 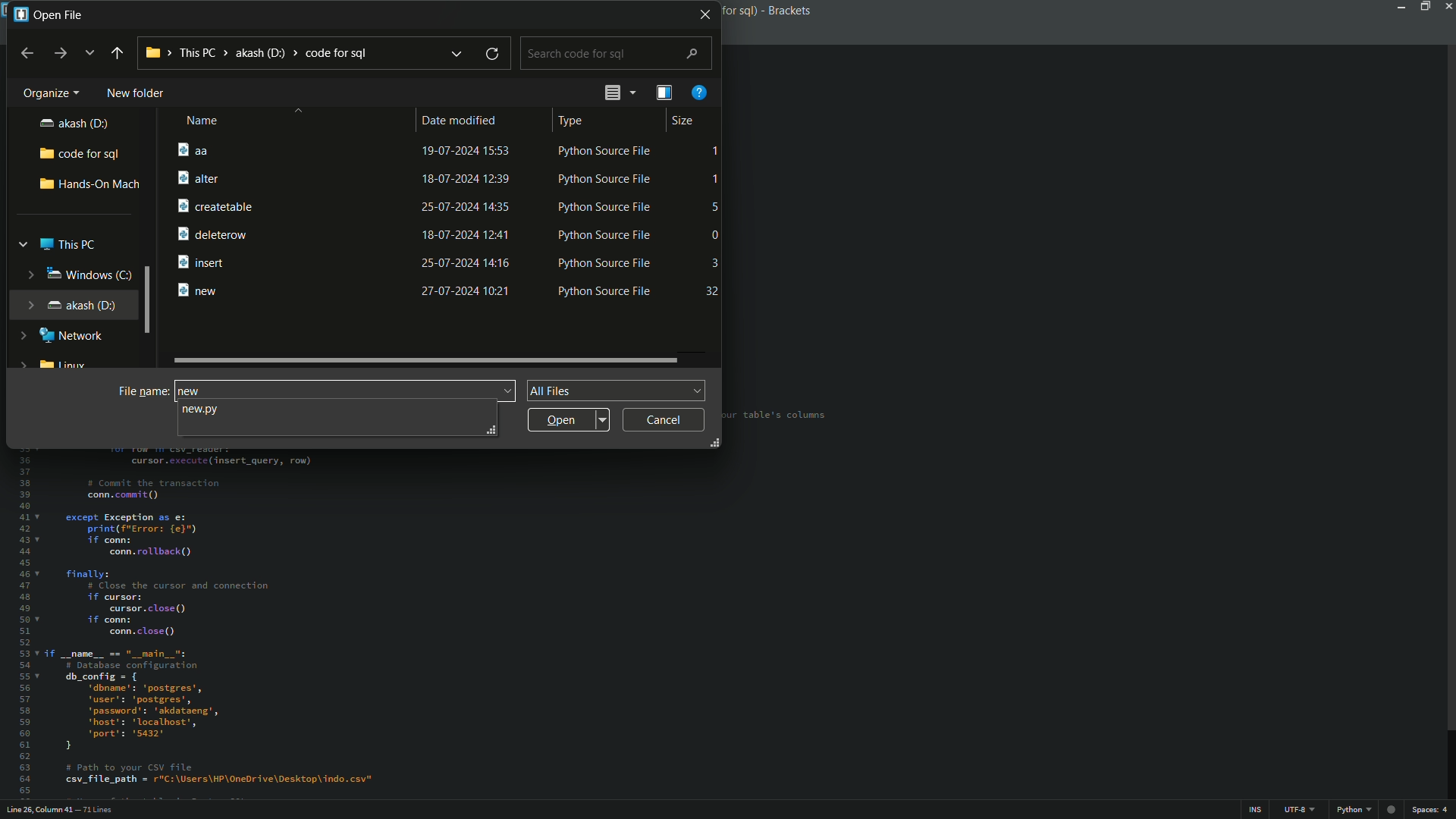 What do you see at coordinates (601, 150) in the screenshot?
I see `Python Source File` at bounding box center [601, 150].